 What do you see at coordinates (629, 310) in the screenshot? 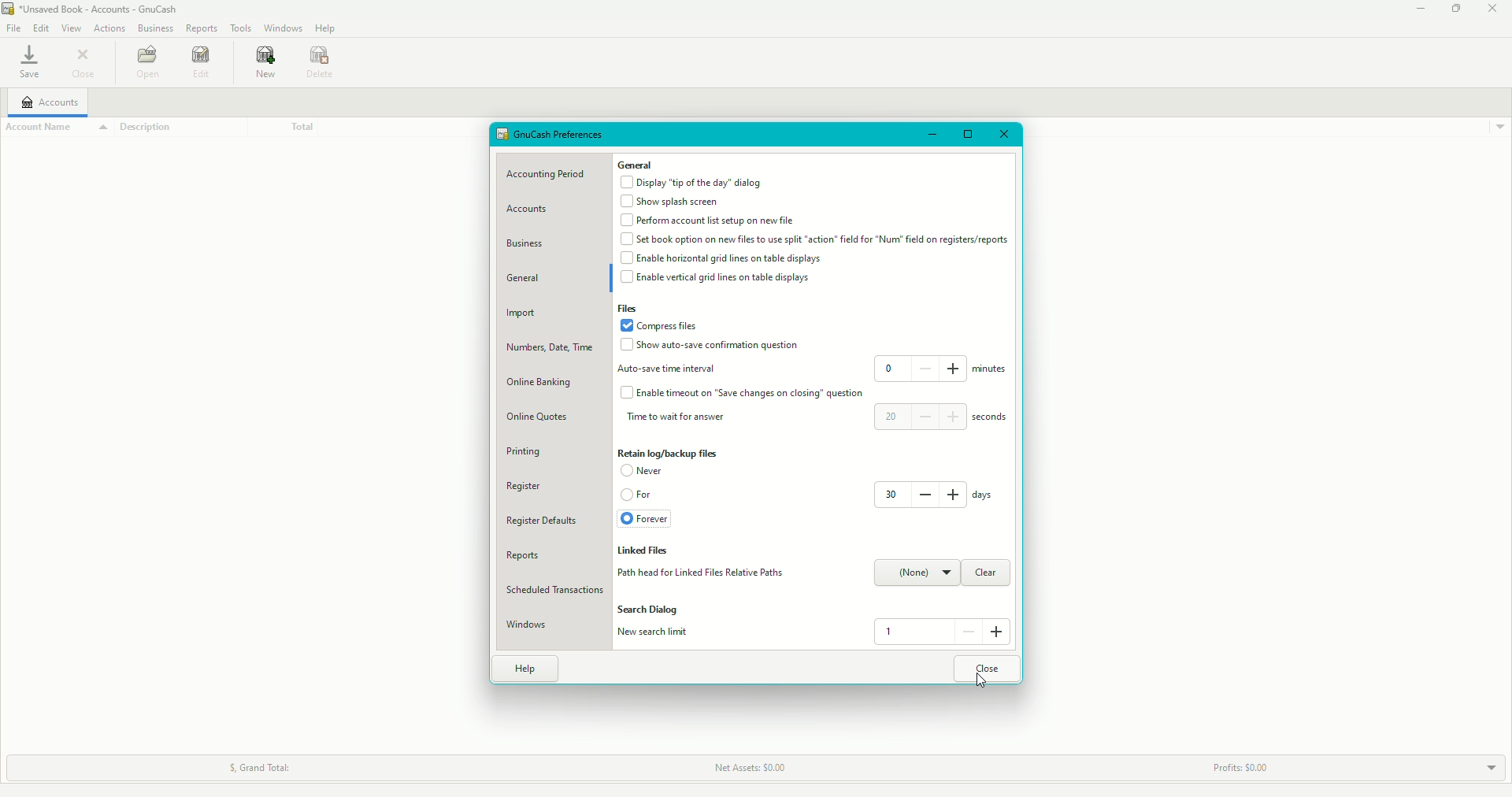
I see `Files` at bounding box center [629, 310].